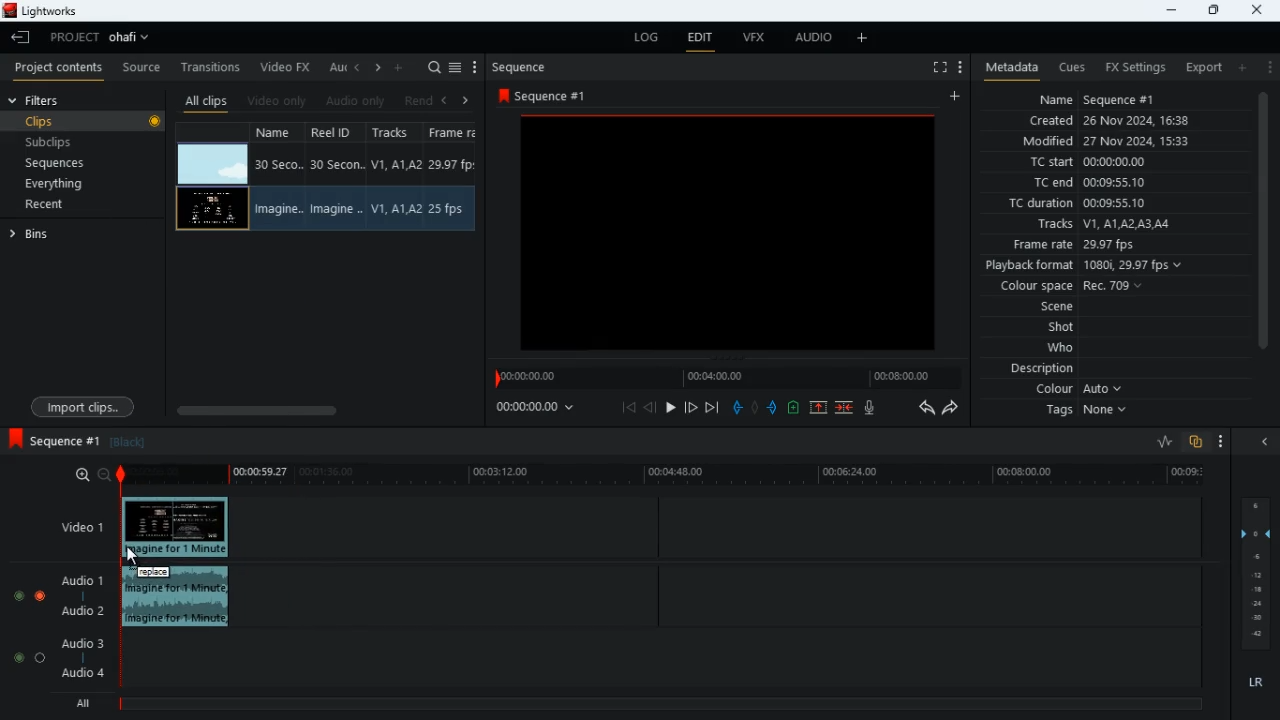  Describe the element at coordinates (334, 135) in the screenshot. I see `reel id` at that location.